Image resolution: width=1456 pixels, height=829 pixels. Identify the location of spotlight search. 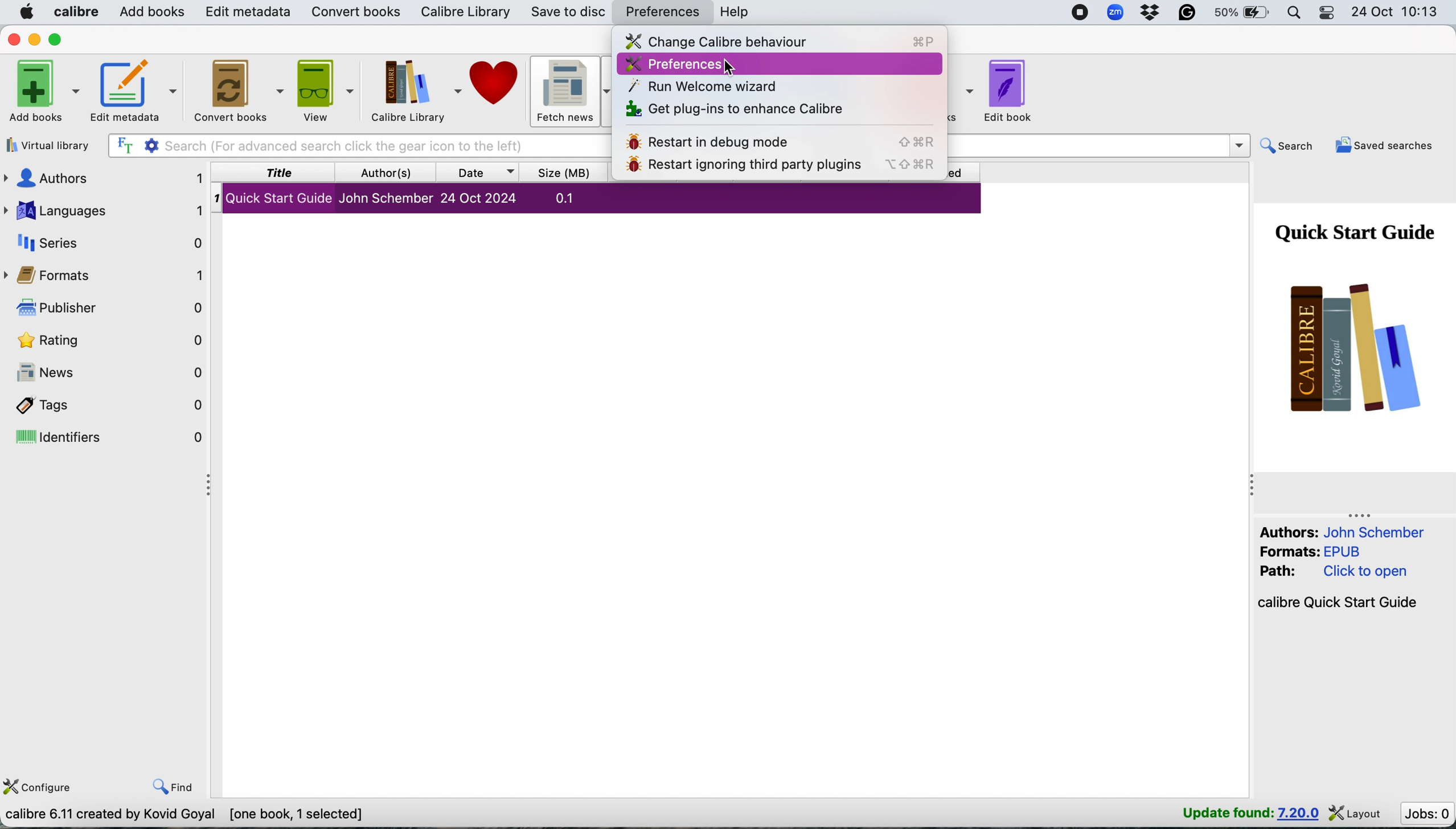
(1297, 14).